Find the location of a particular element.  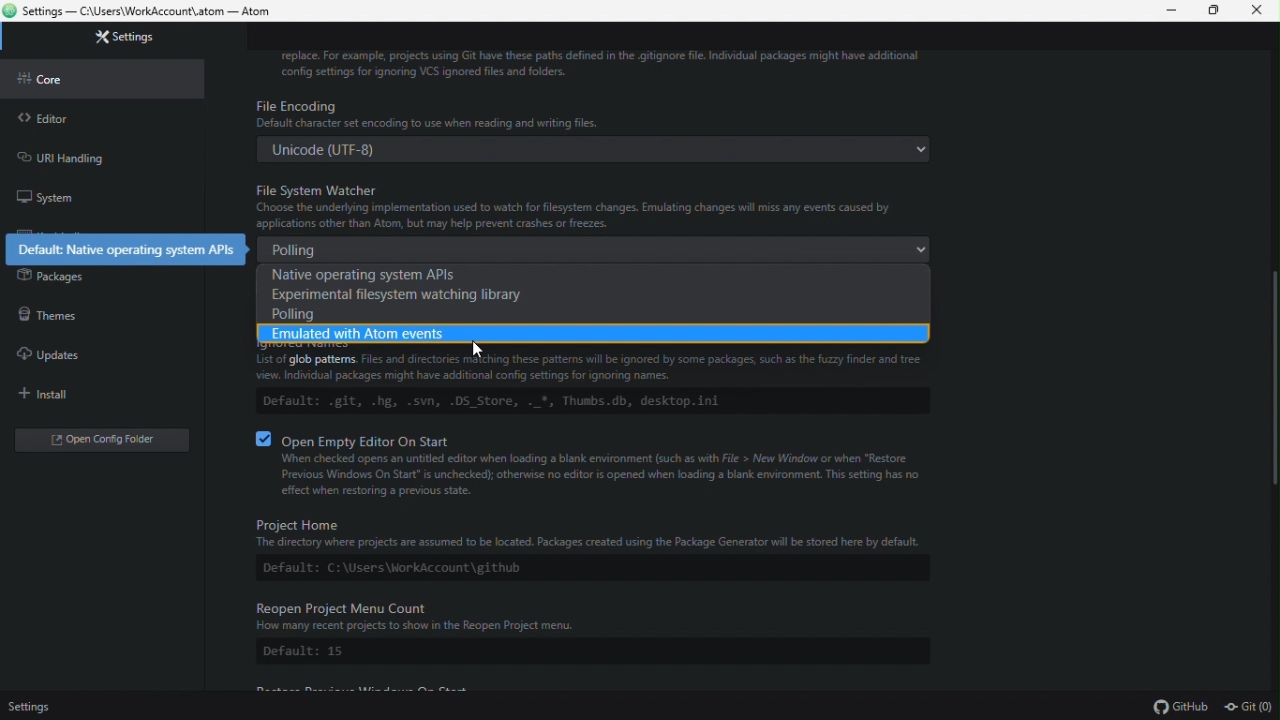

URL handling is located at coordinates (93, 154).